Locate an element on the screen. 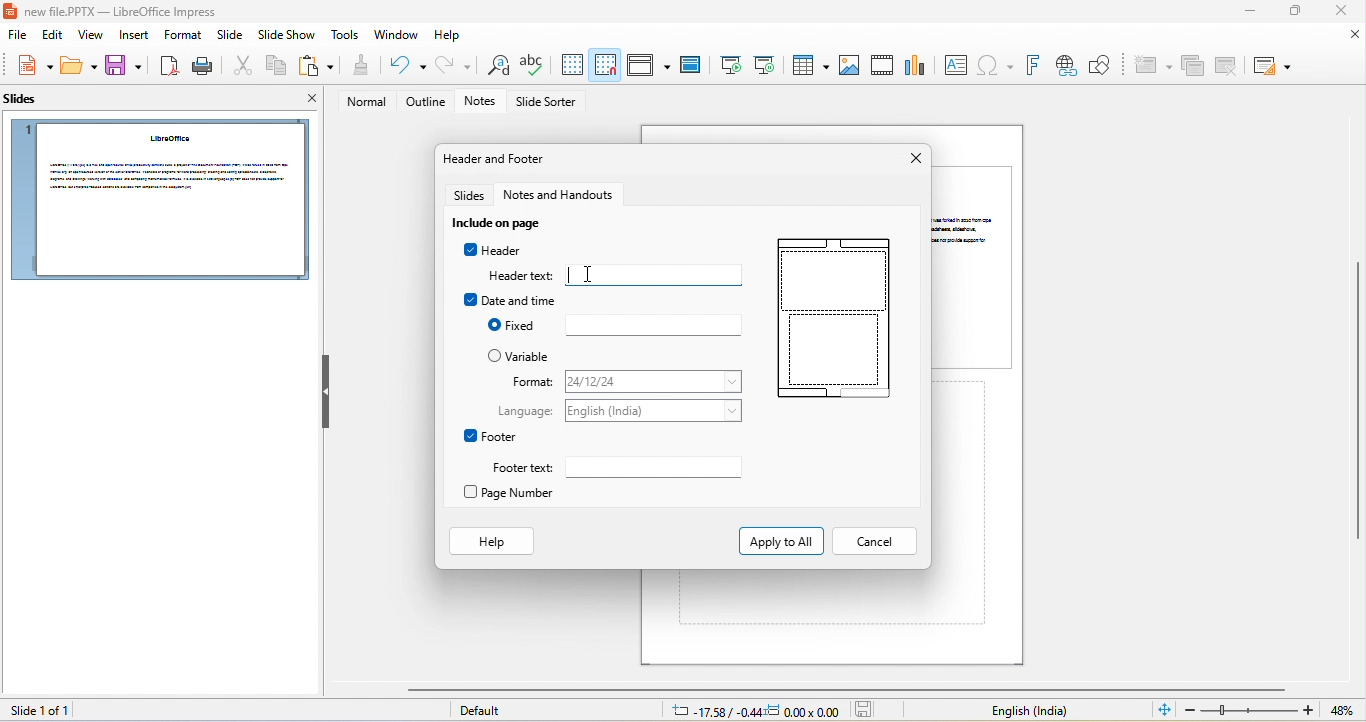 The image size is (1366, 722). close is located at coordinates (1356, 35).